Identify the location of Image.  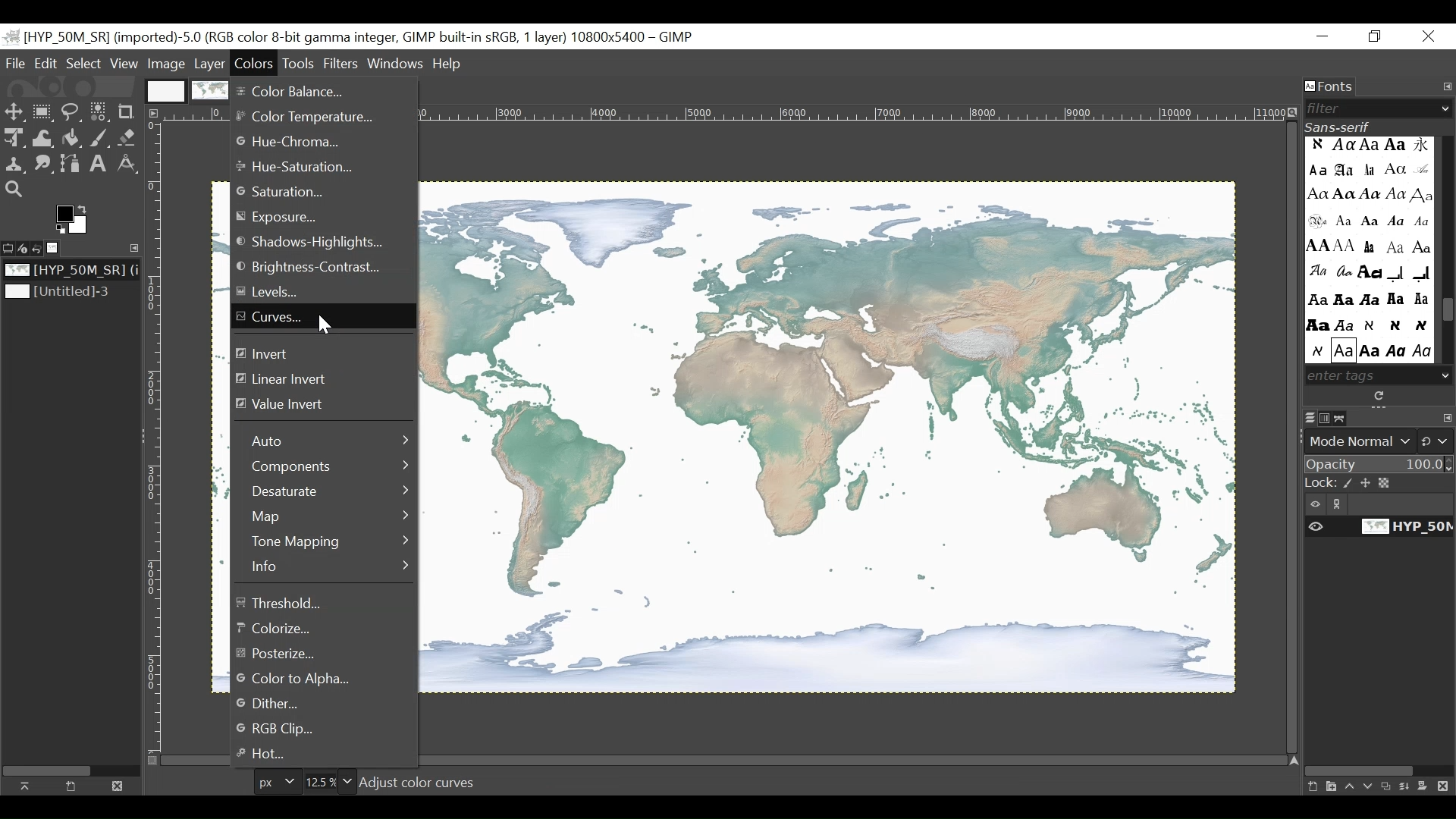
(65, 293).